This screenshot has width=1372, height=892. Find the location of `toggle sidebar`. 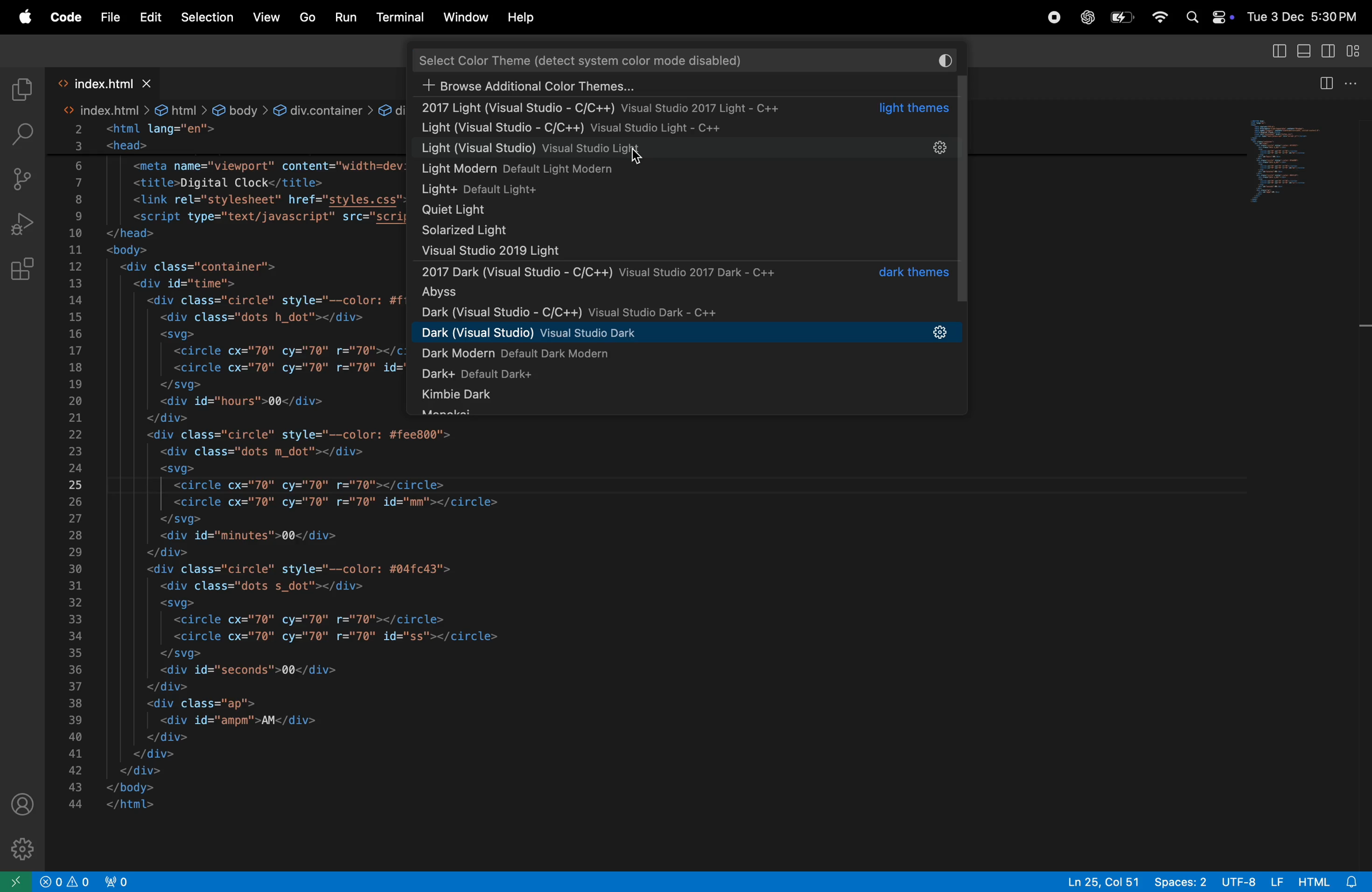

toggle sidebar is located at coordinates (1333, 52).